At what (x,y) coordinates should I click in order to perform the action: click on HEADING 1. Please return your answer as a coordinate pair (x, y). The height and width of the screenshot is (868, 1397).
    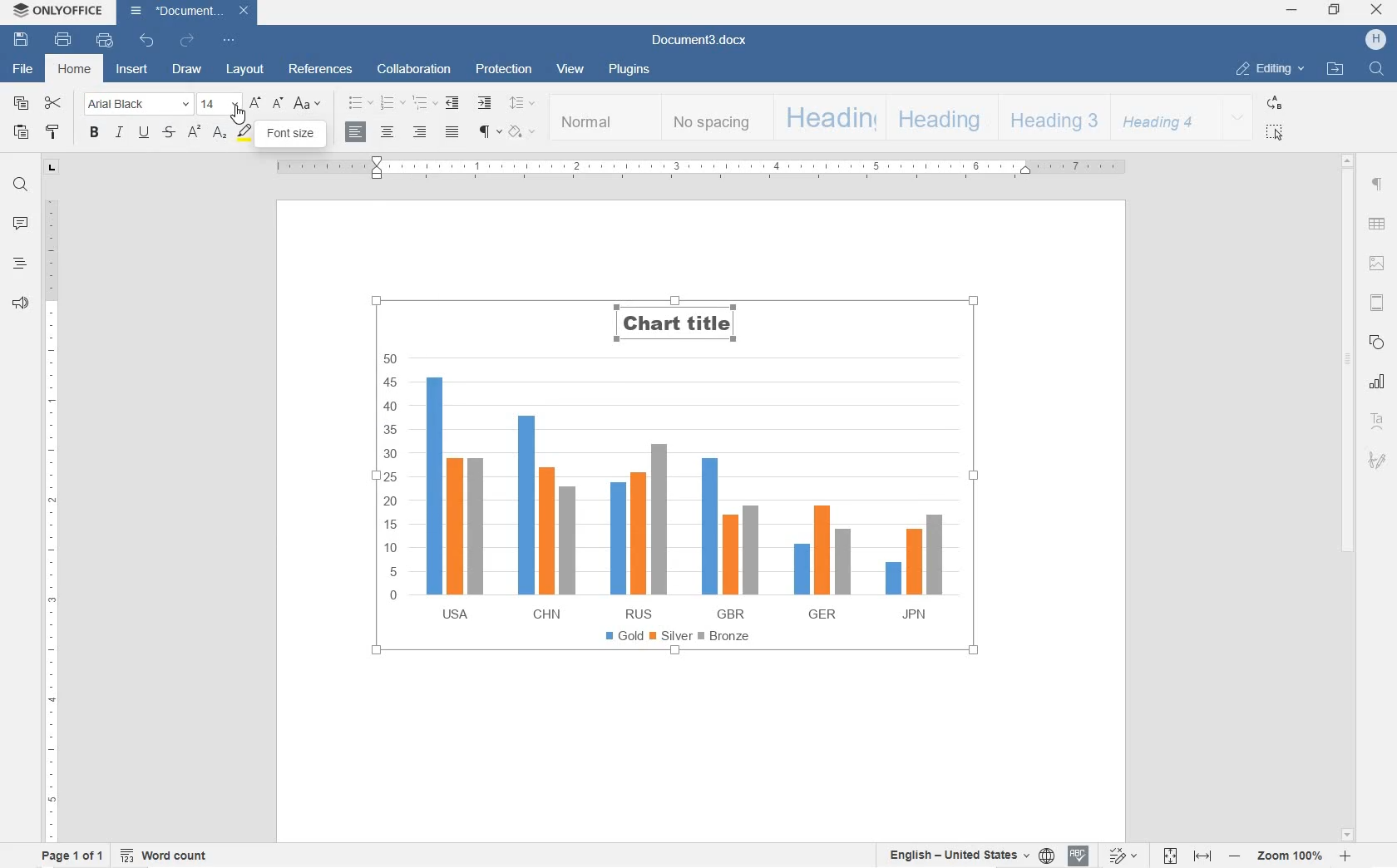
    Looking at the image, I should click on (827, 118).